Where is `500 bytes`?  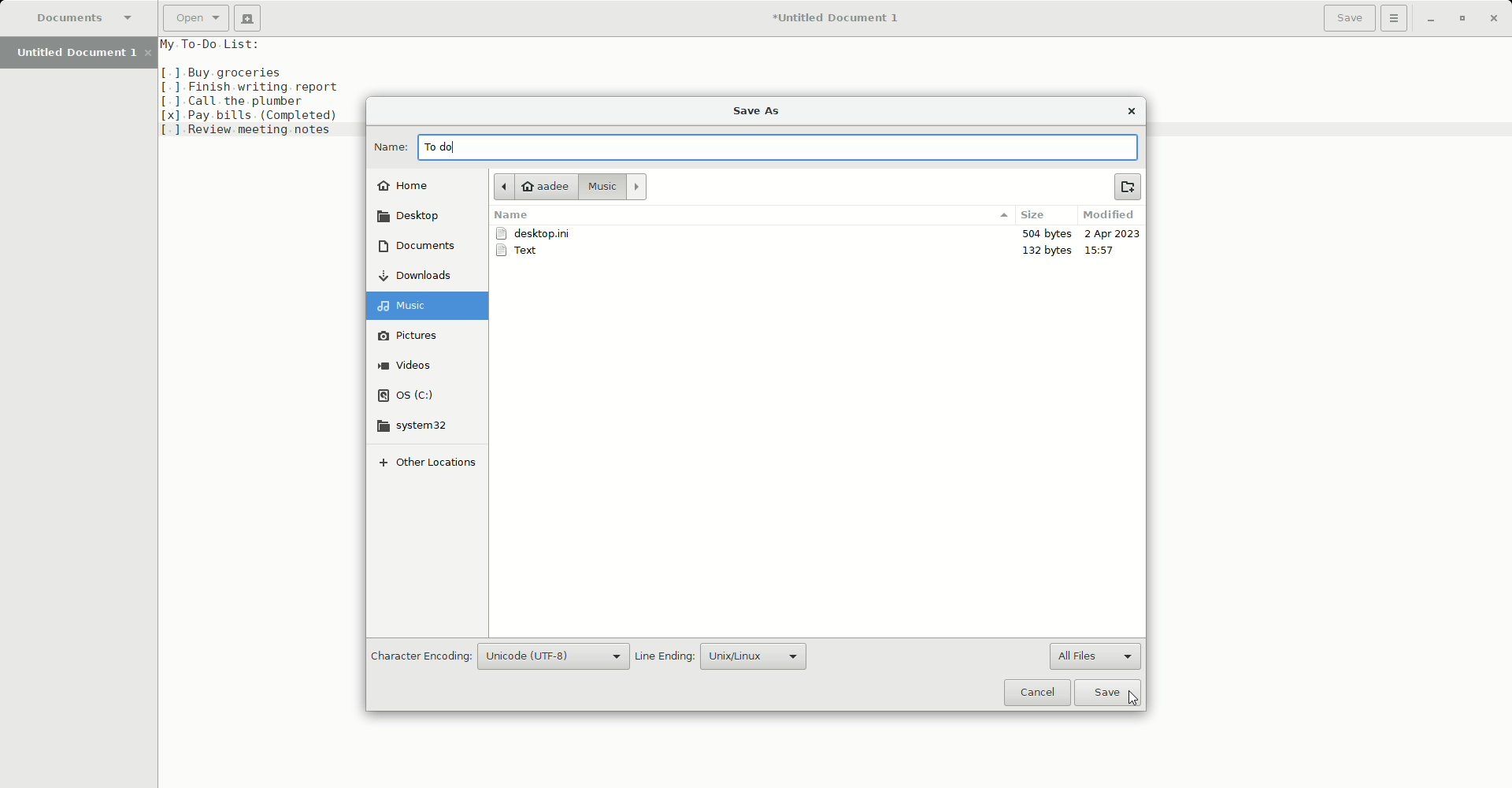
500 bytes is located at coordinates (1044, 233).